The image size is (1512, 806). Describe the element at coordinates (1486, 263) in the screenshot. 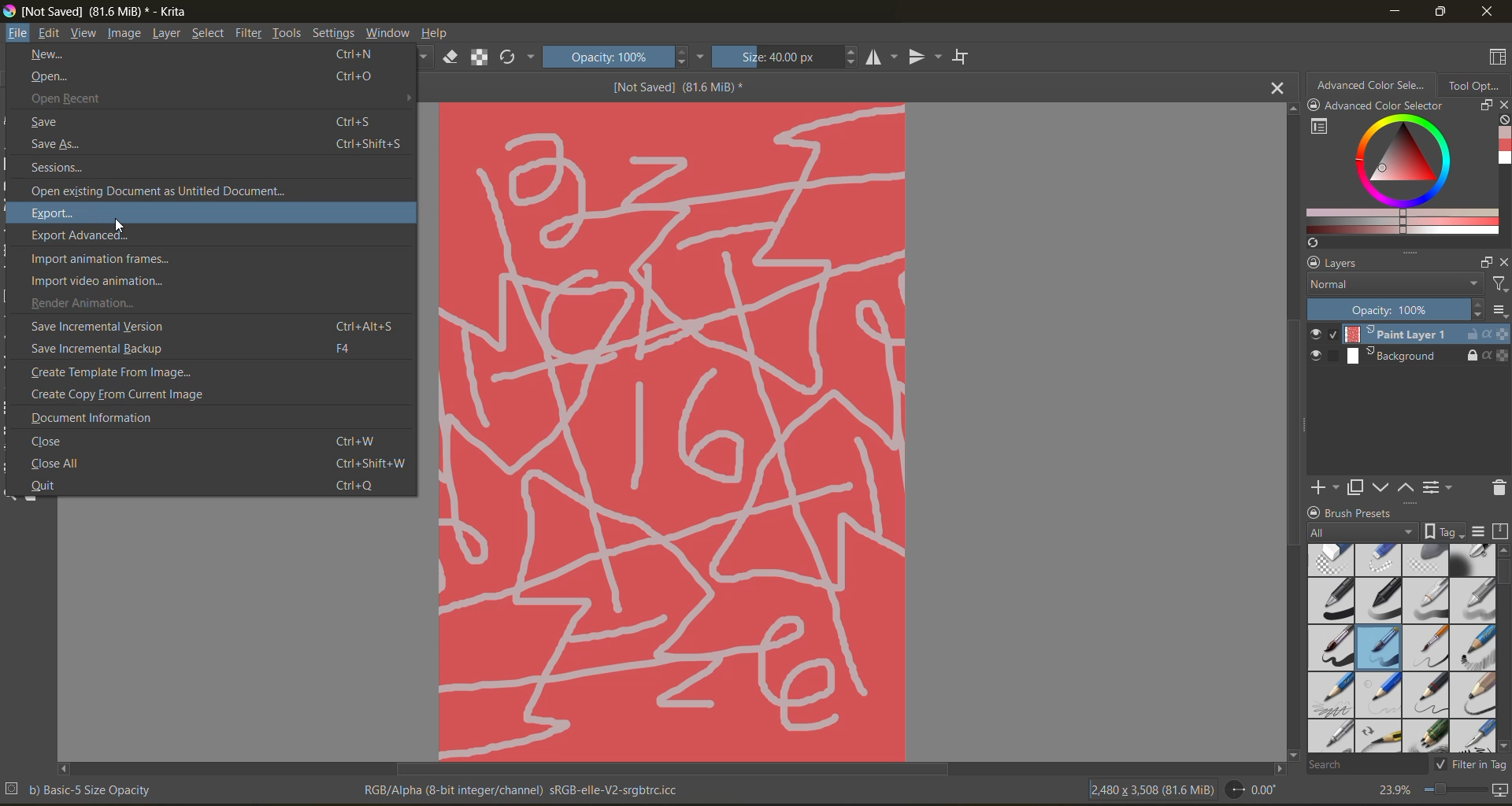

I see `float docker` at that location.